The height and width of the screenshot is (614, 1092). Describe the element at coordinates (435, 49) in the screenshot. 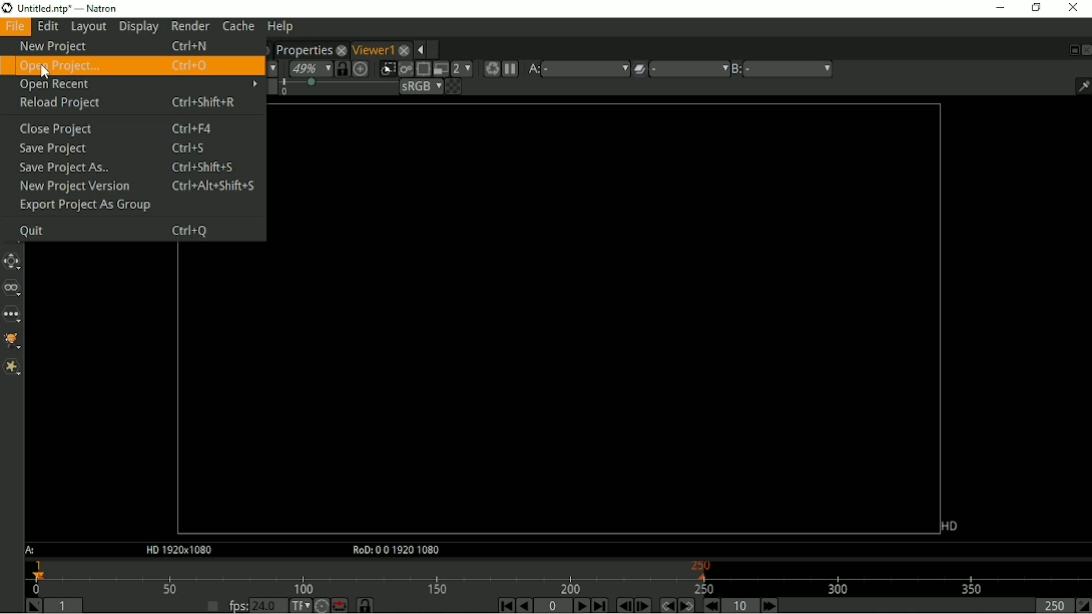

I see `Expand` at that location.